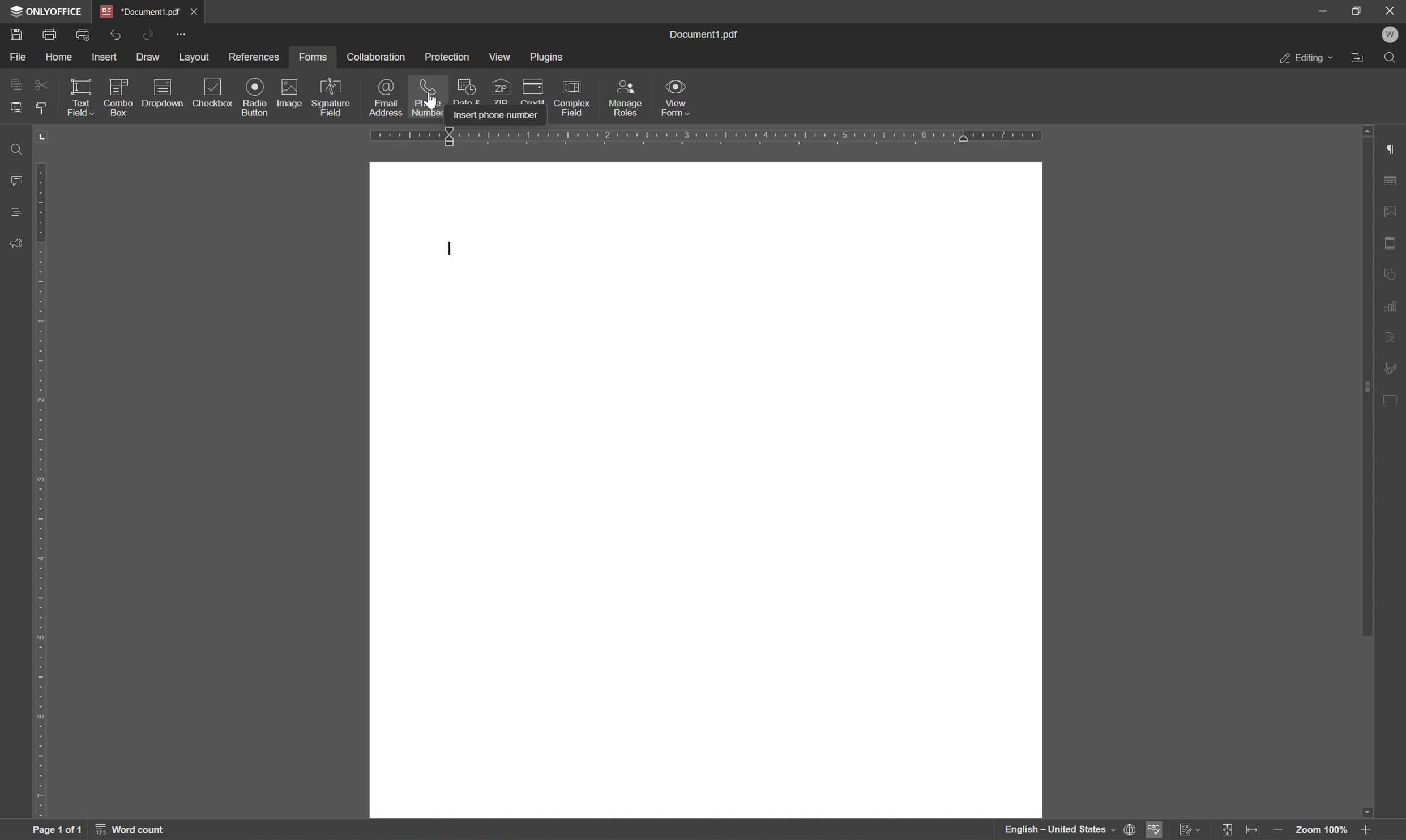  I want to click on insert phone number, so click(498, 114).